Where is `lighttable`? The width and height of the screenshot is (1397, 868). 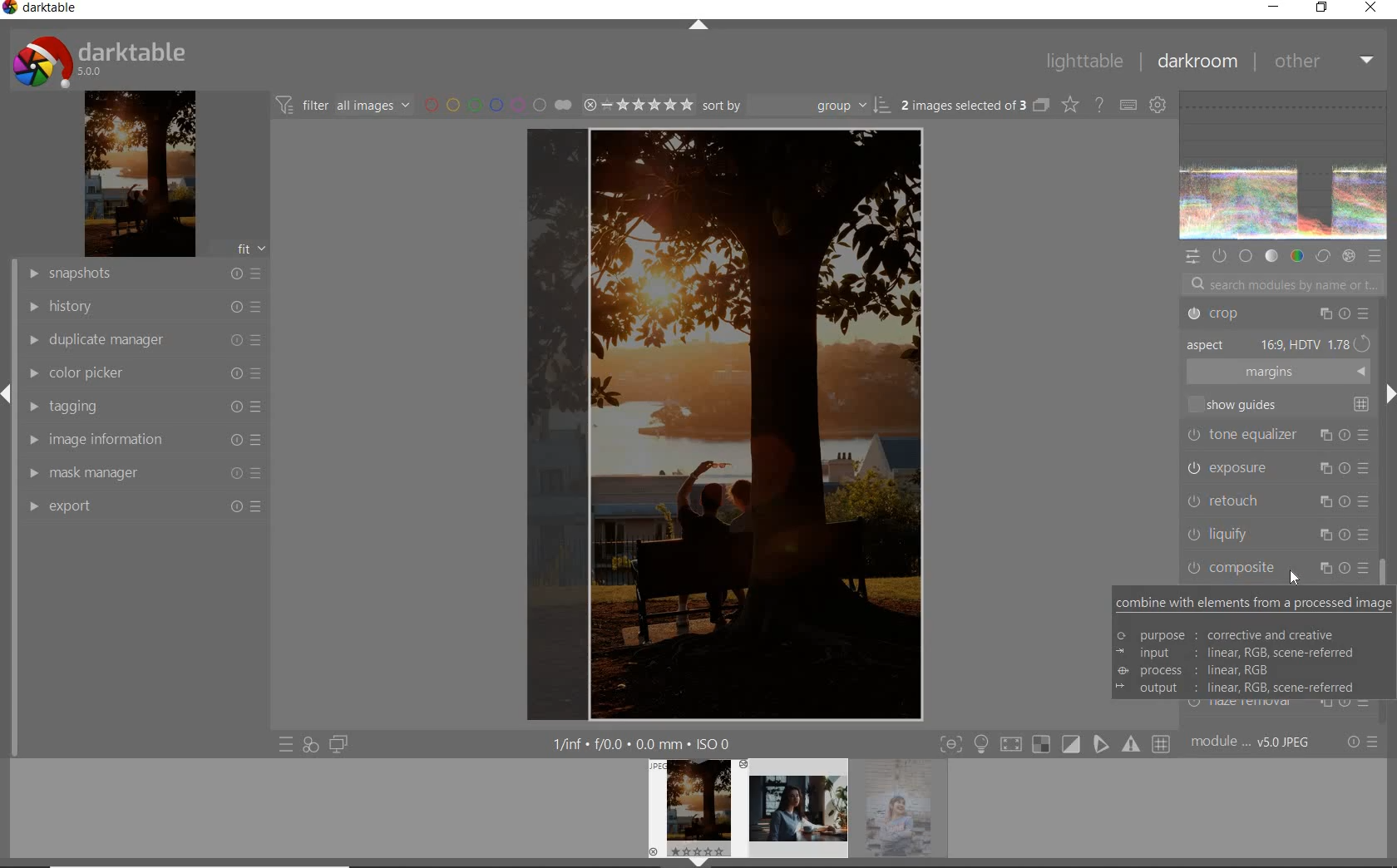
lighttable is located at coordinates (1085, 62).